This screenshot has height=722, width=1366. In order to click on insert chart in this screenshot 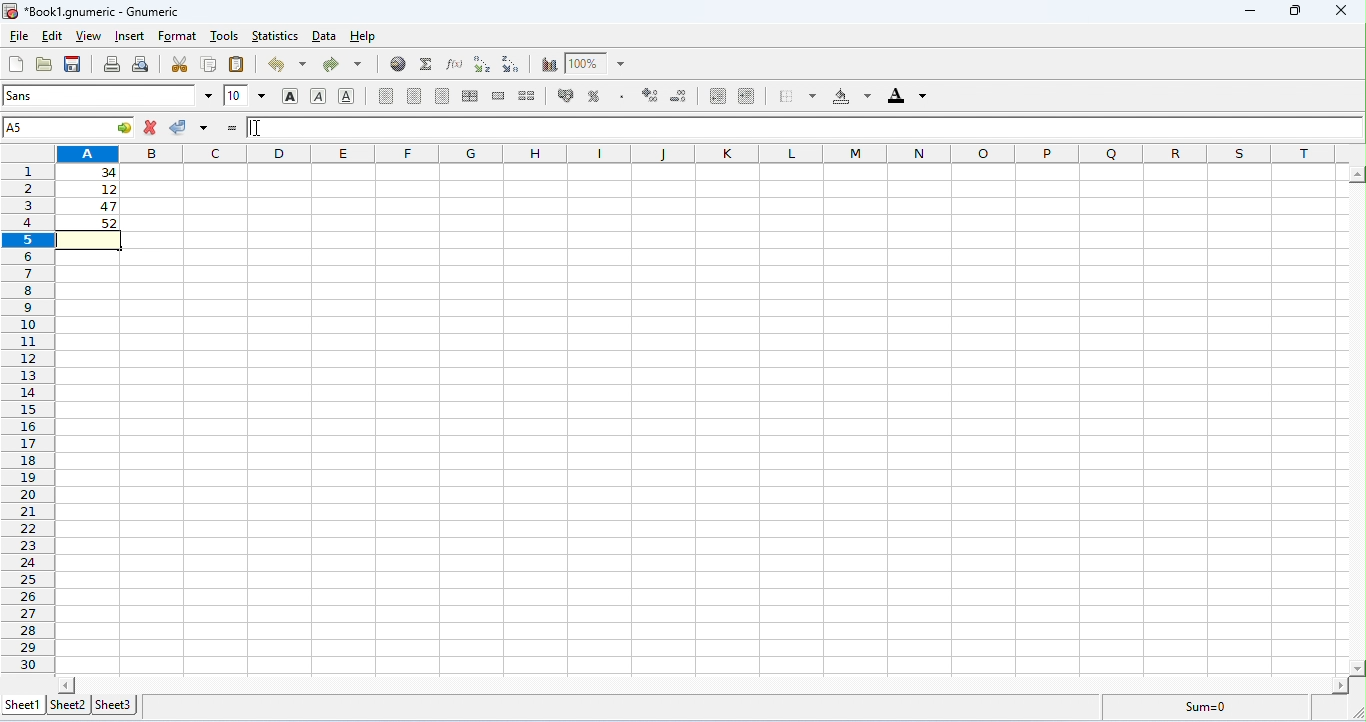, I will do `click(549, 65)`.